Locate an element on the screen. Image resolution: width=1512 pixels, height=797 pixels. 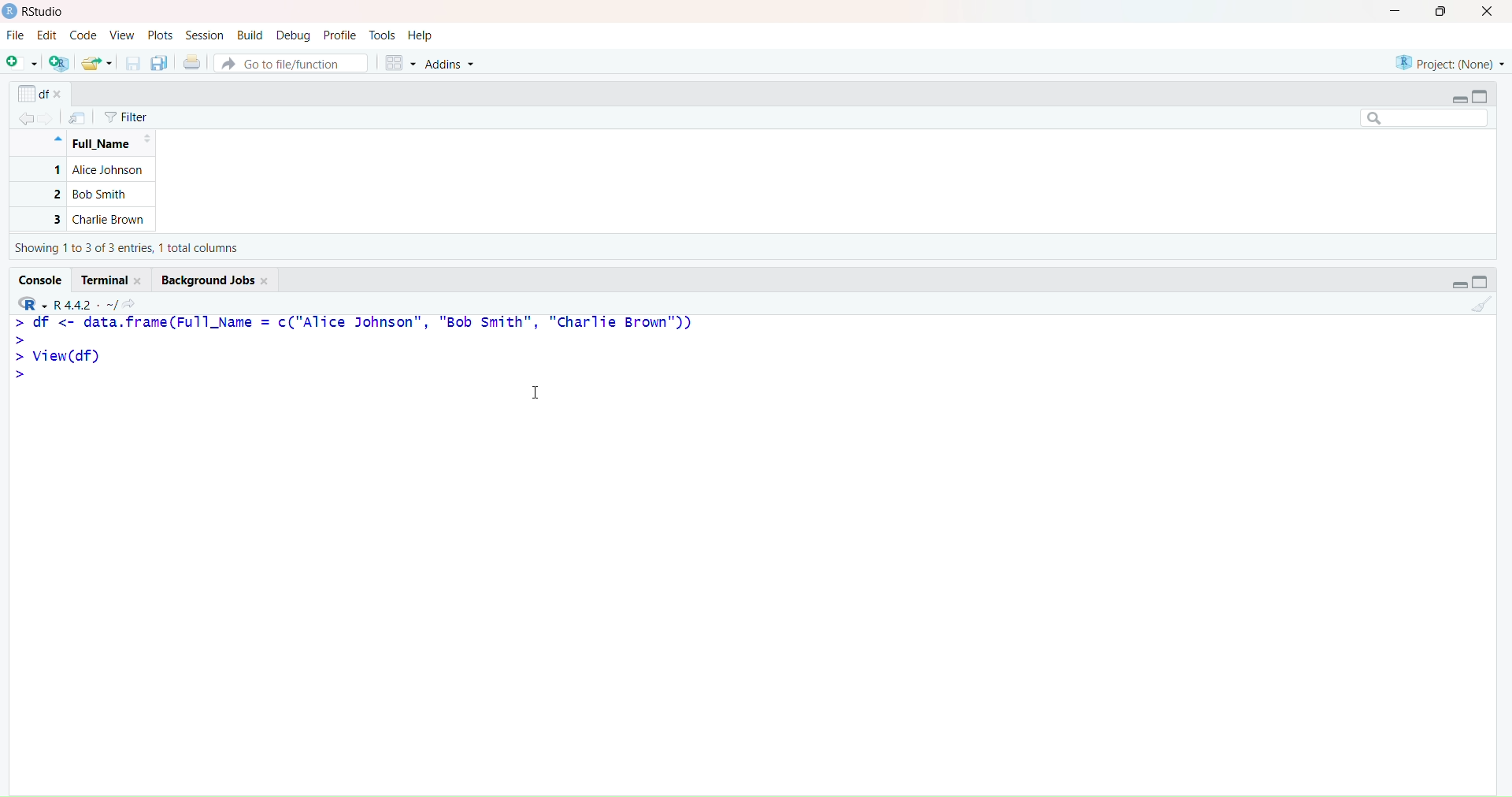
Maximize is located at coordinates (1486, 96).